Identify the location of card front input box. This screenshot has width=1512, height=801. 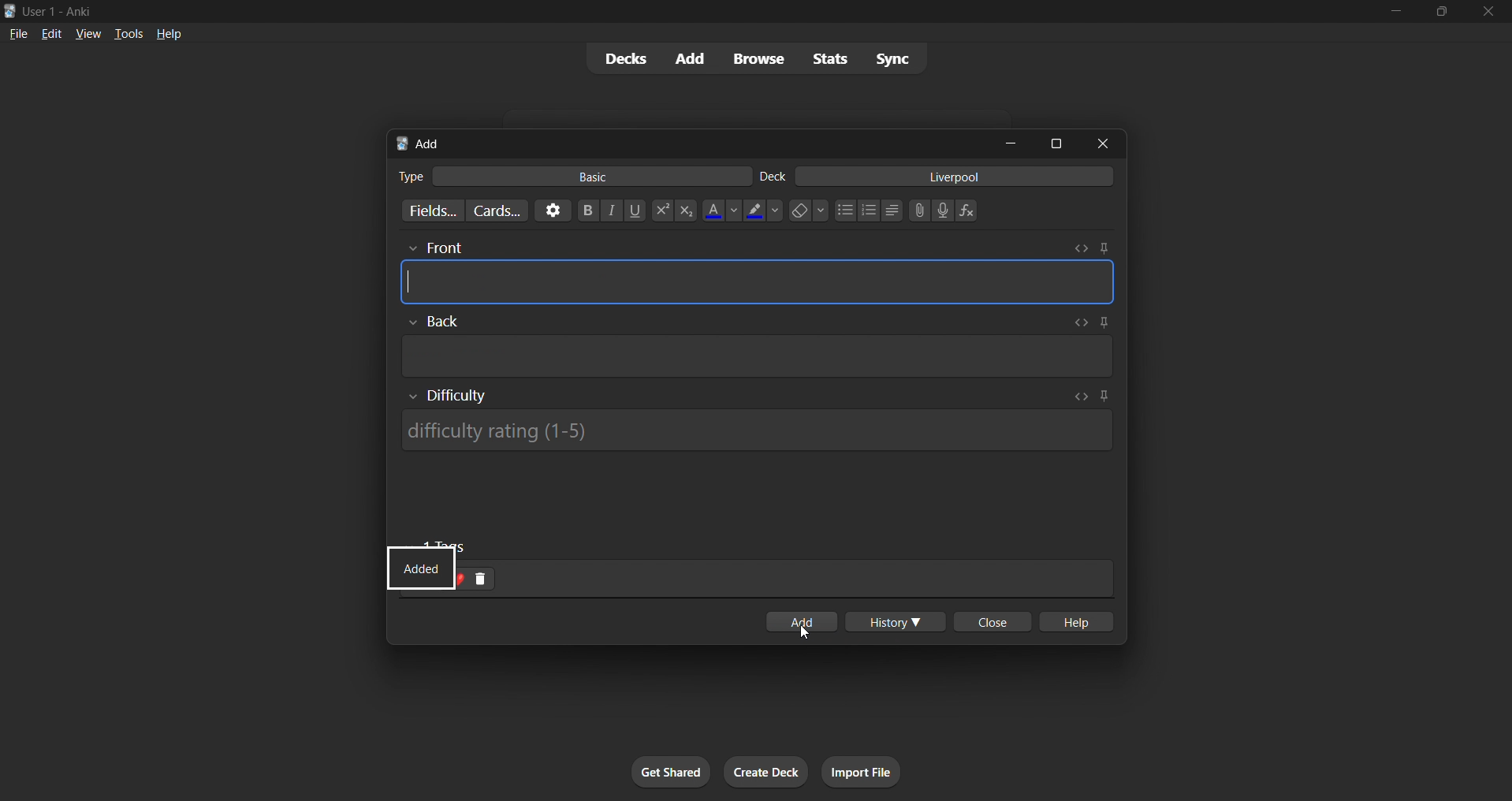
(757, 277).